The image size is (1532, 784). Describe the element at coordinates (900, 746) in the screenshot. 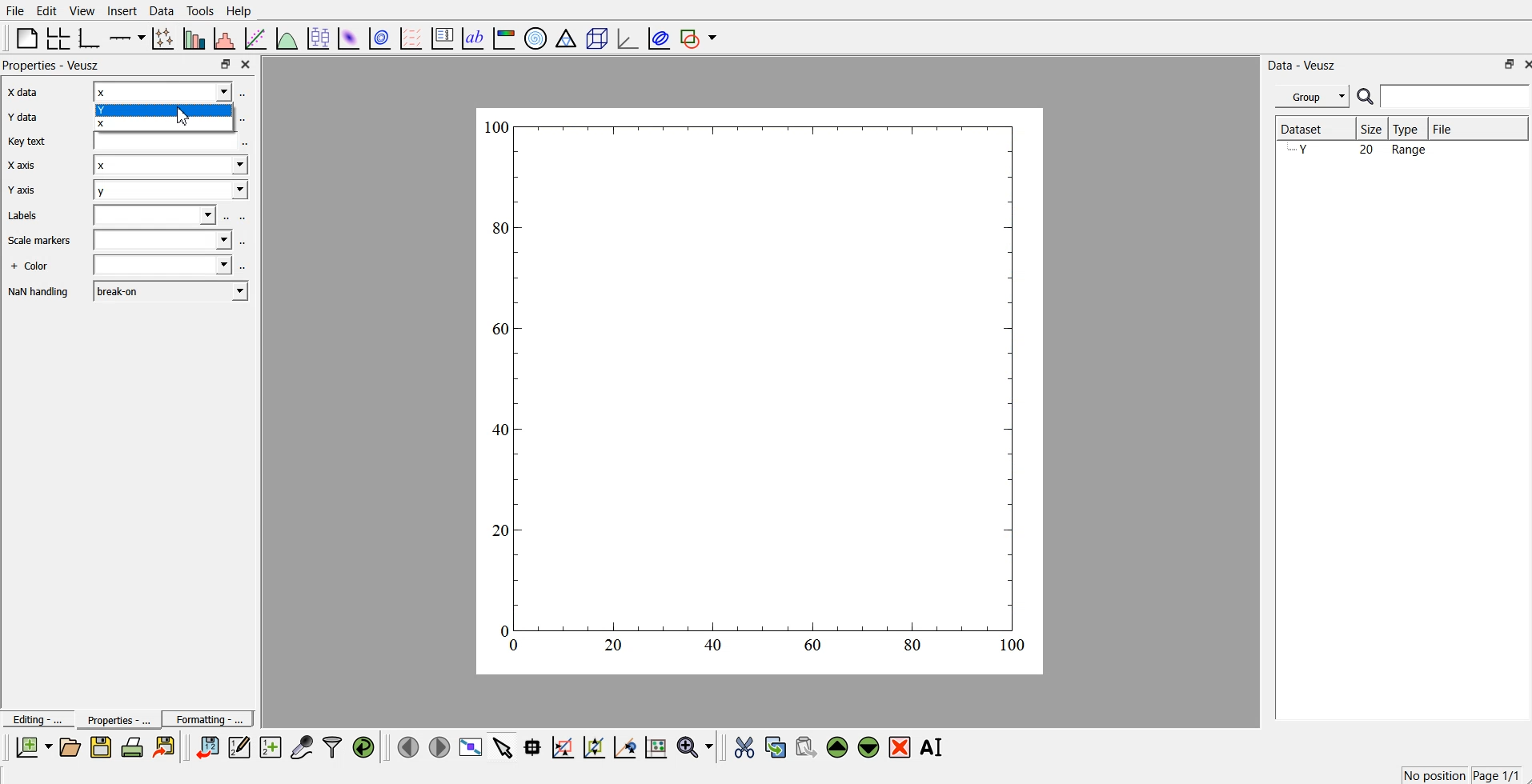

I see `remove widget` at that location.